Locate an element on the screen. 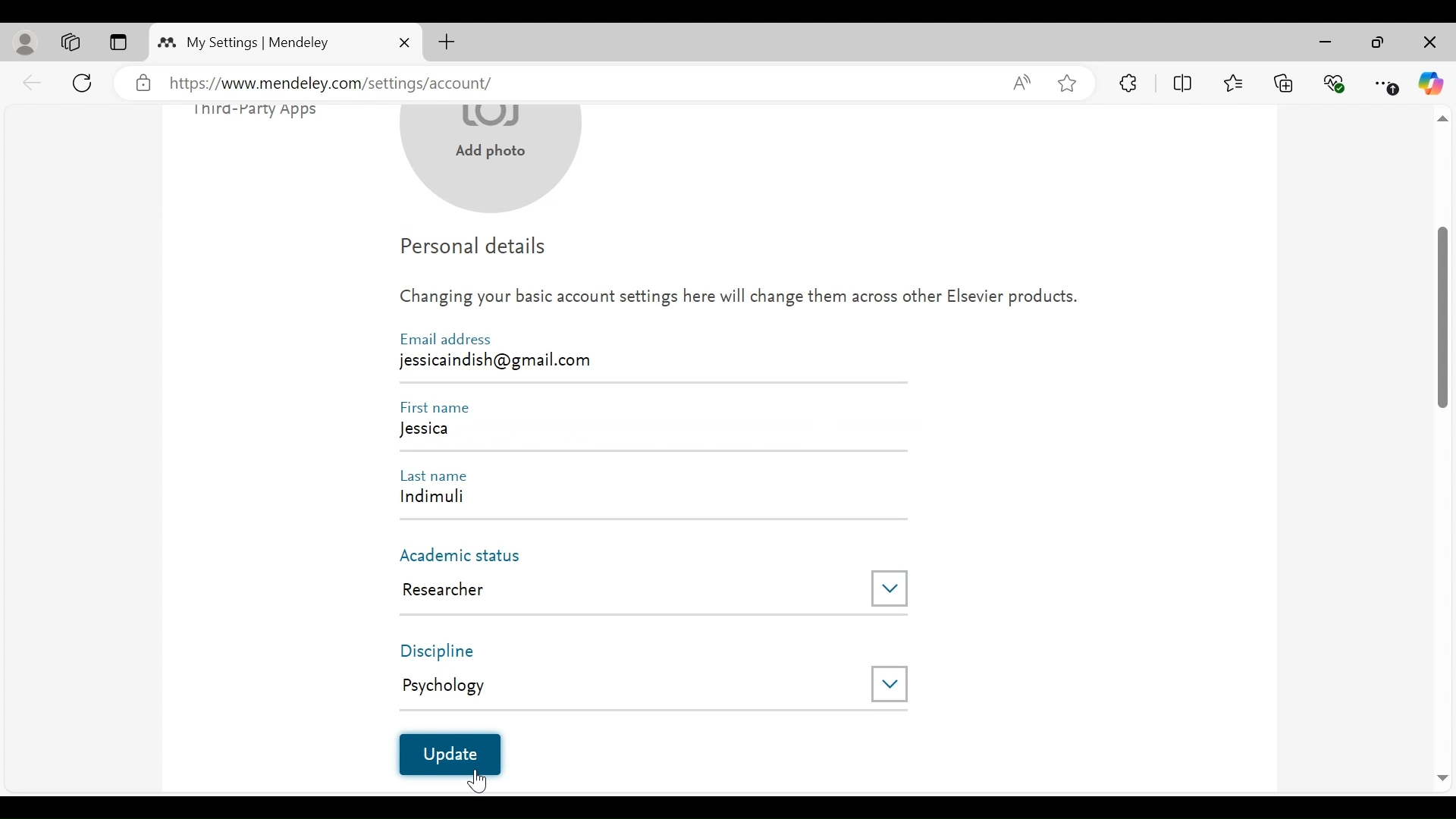 This screenshot has width=1456, height=819. Psychology is located at coordinates (623, 685).